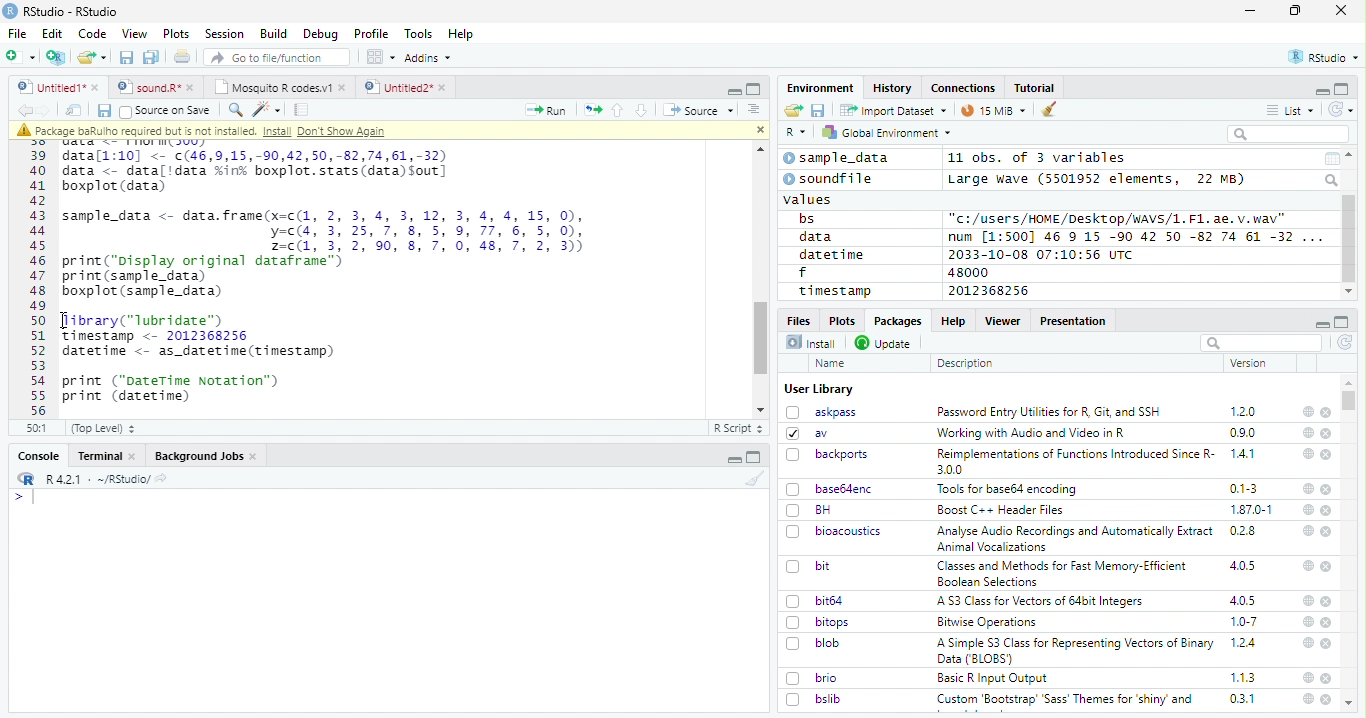 The height and width of the screenshot is (718, 1366). What do you see at coordinates (1074, 321) in the screenshot?
I see `Presentation` at bounding box center [1074, 321].